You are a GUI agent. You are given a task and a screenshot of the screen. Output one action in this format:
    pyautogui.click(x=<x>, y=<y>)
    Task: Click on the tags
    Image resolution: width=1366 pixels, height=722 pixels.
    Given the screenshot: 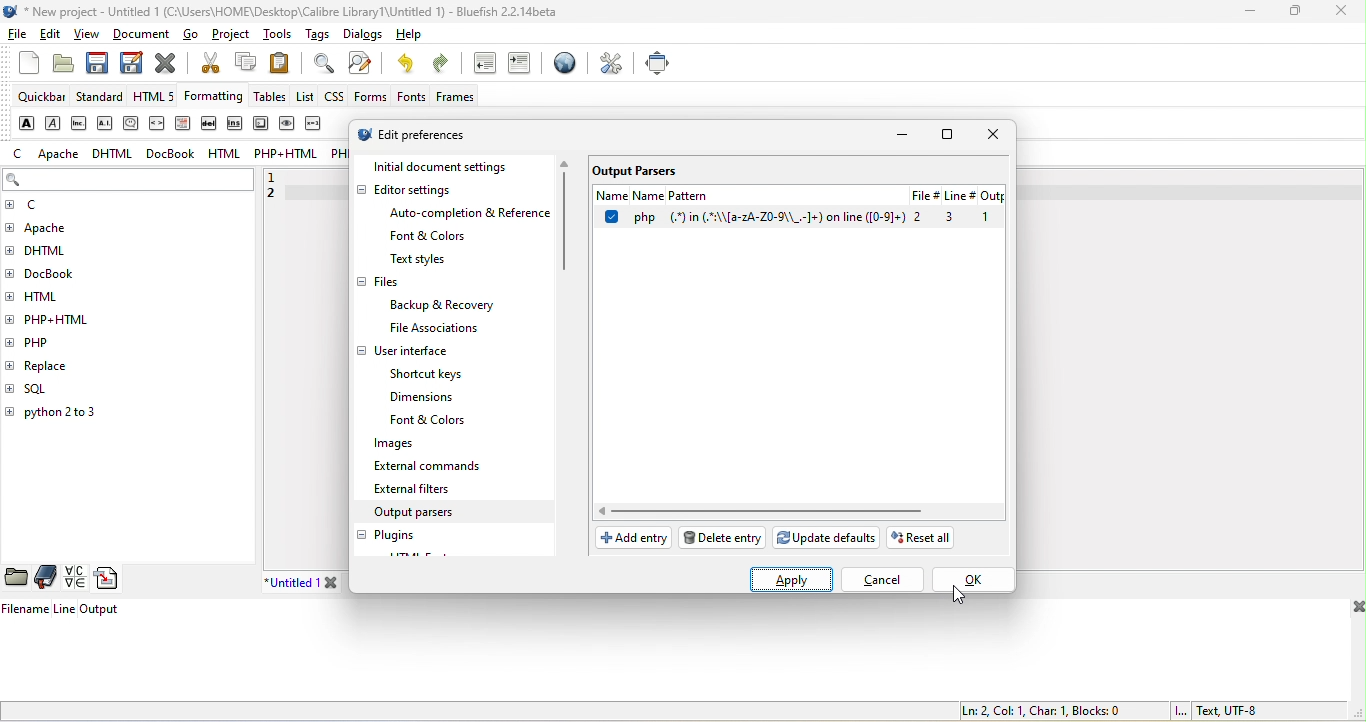 What is the action you would take?
    pyautogui.click(x=315, y=36)
    